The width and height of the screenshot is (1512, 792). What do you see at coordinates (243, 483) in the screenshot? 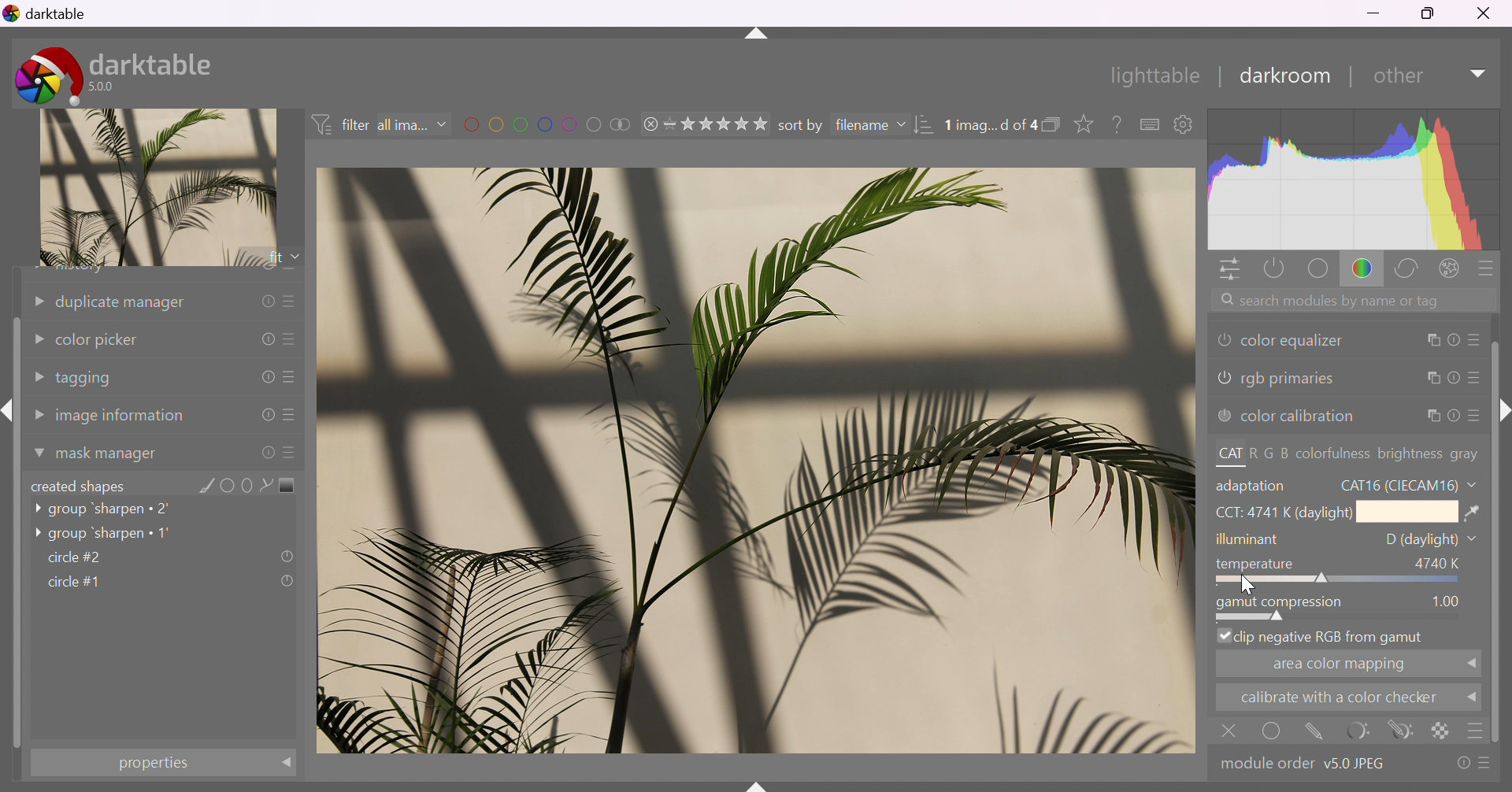
I see `add ellipse` at bounding box center [243, 483].